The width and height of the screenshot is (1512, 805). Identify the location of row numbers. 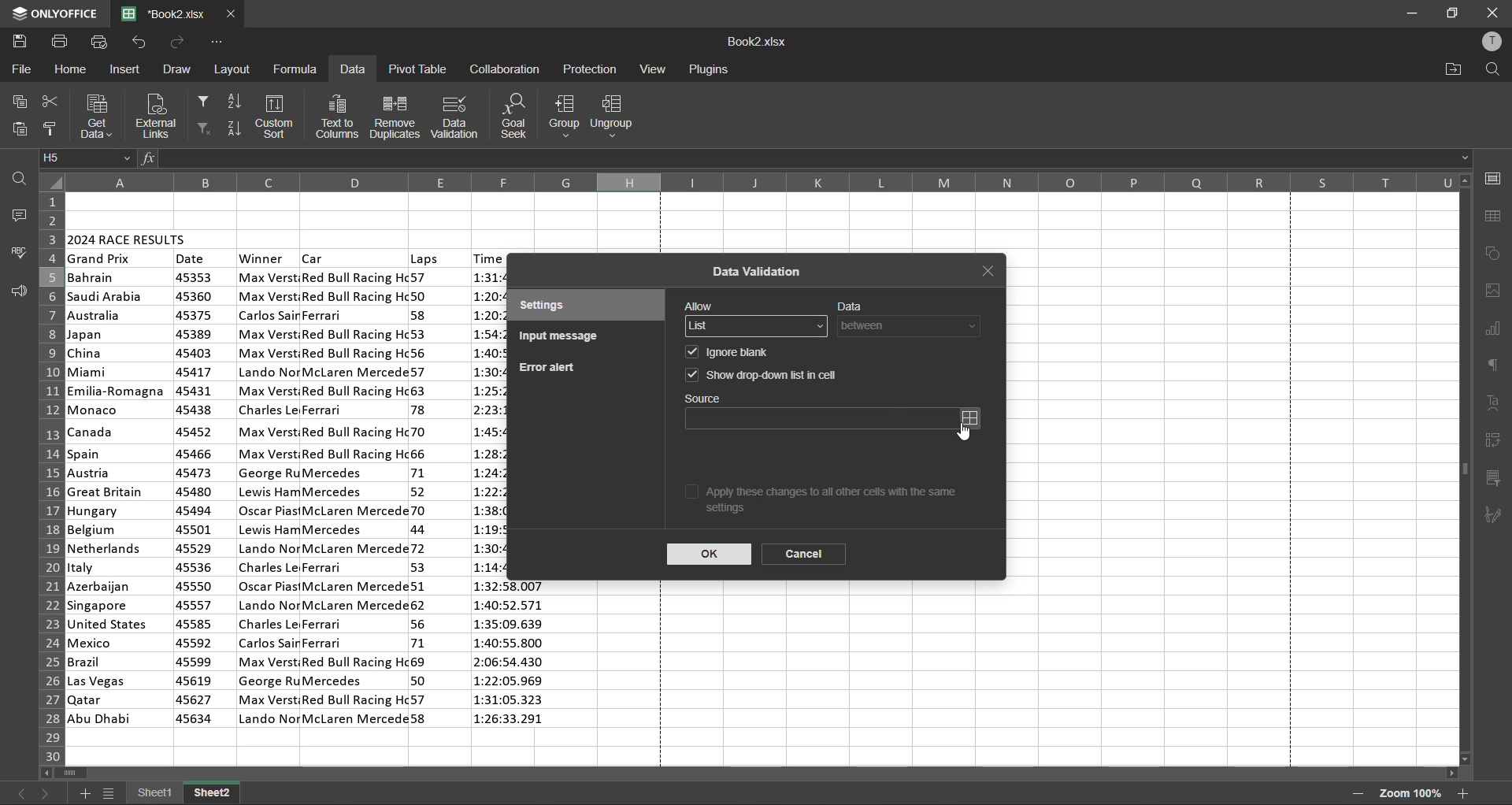
(48, 476).